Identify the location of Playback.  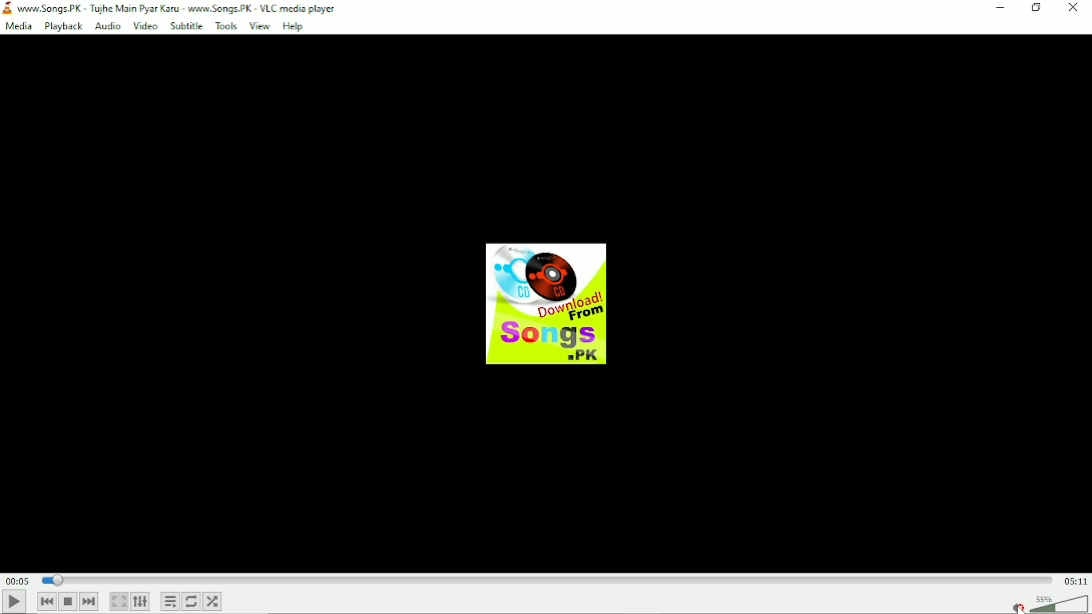
(61, 27).